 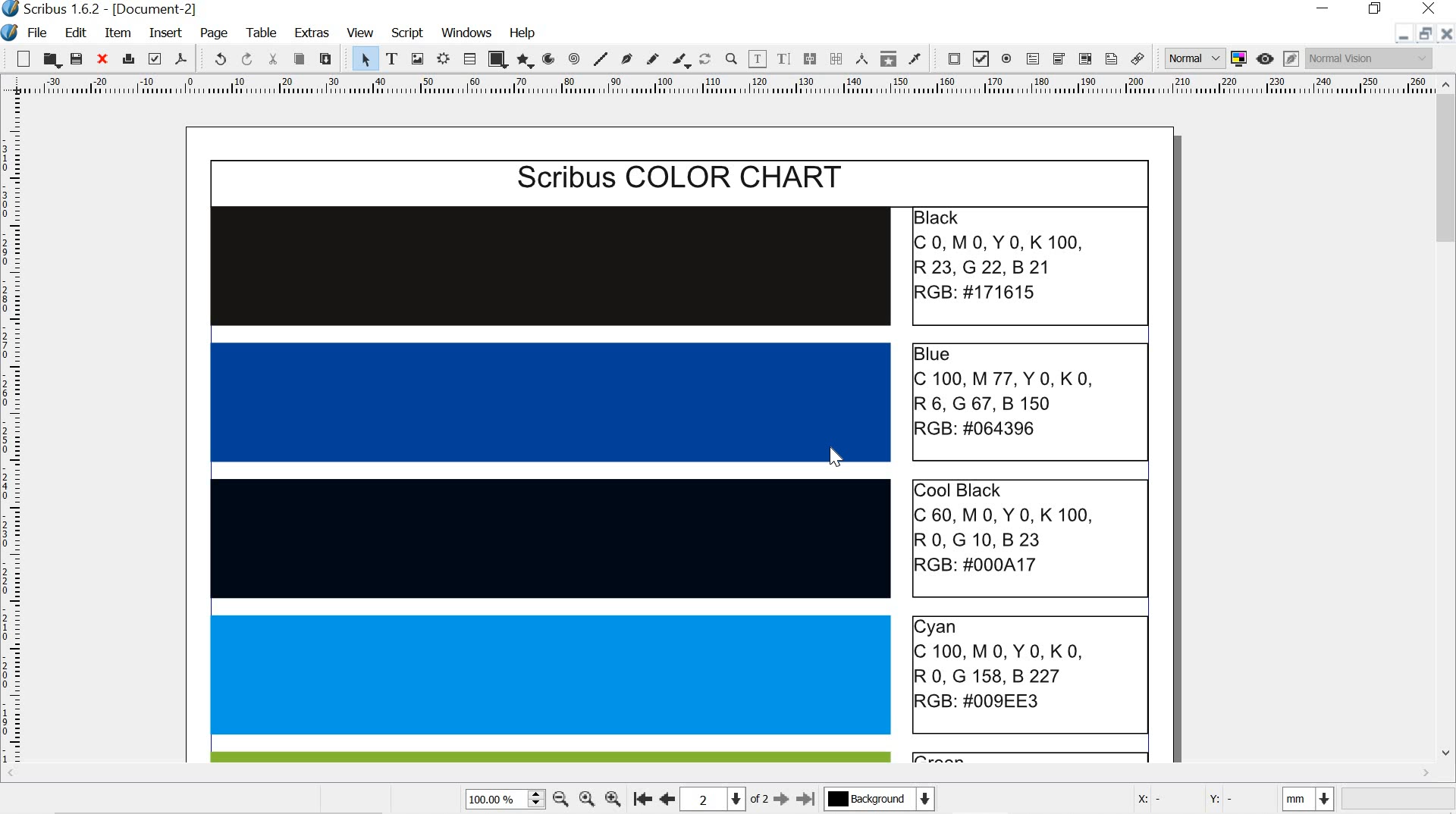 I want to click on copy item properties, so click(x=889, y=60).